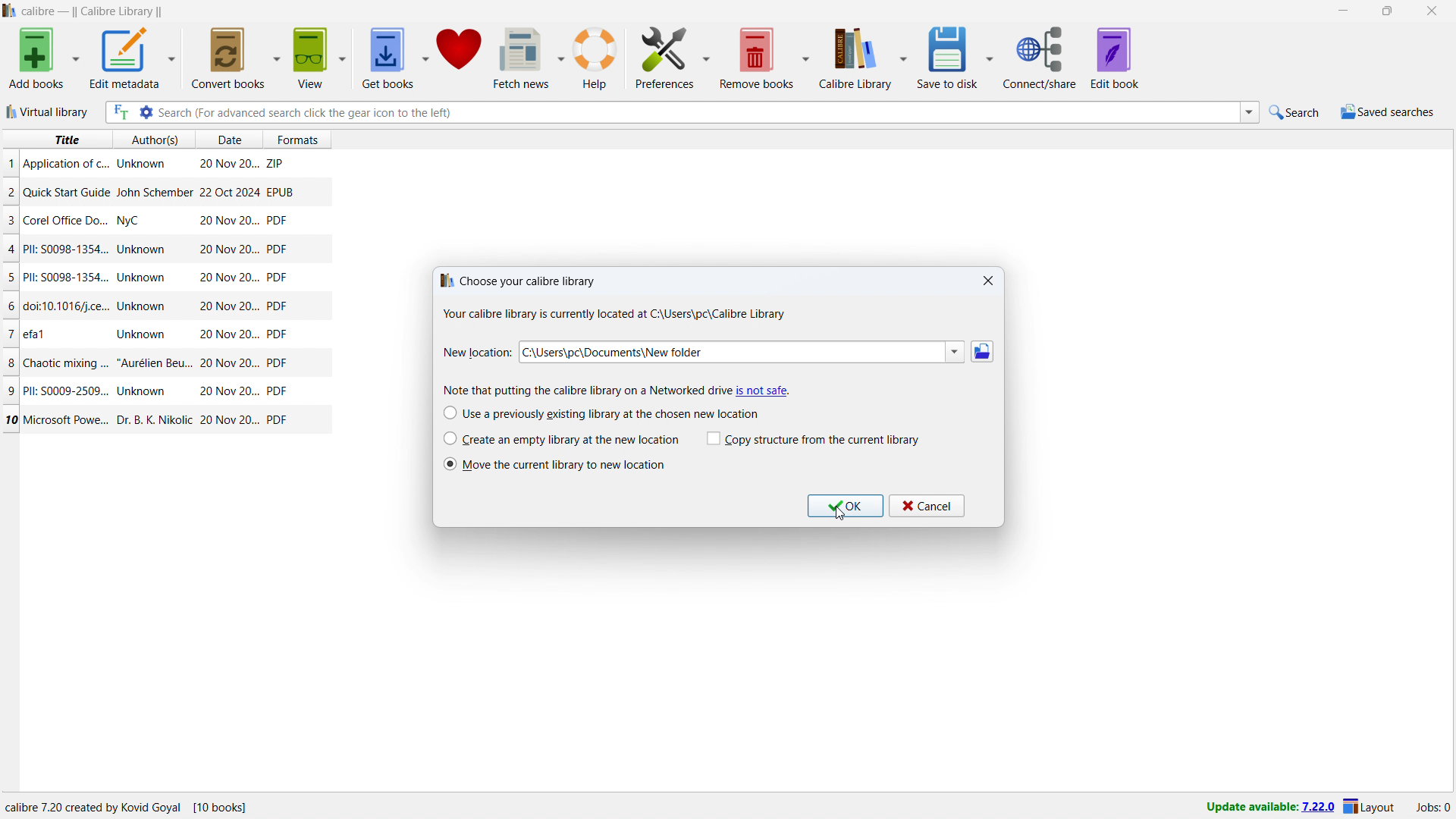 Image resolution: width=1456 pixels, height=819 pixels. What do you see at coordinates (279, 364) in the screenshot?
I see `PDF` at bounding box center [279, 364].